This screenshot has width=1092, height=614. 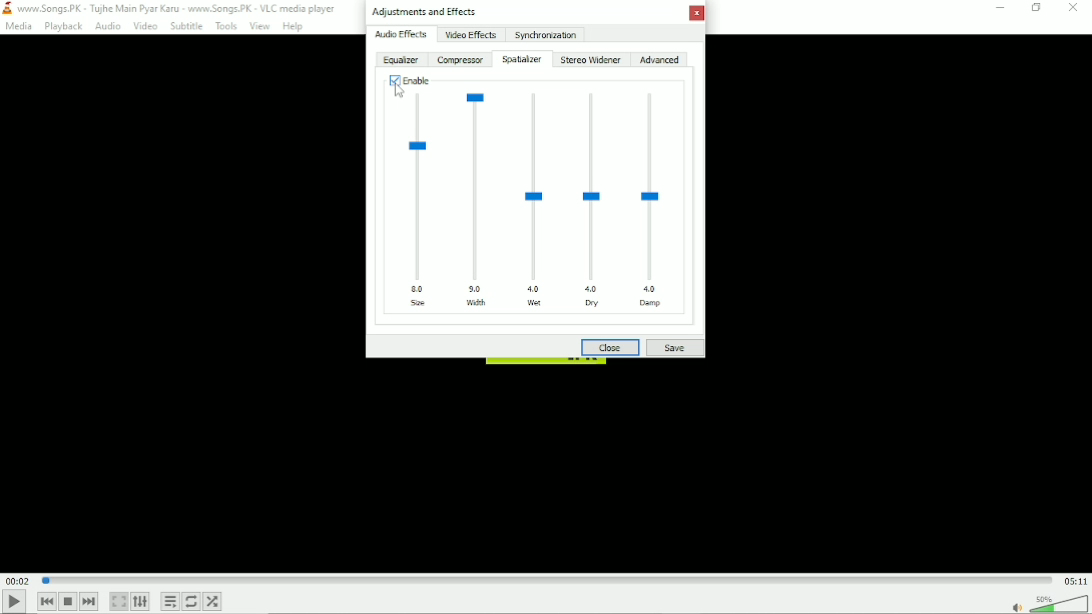 What do you see at coordinates (63, 26) in the screenshot?
I see `Playback` at bounding box center [63, 26].